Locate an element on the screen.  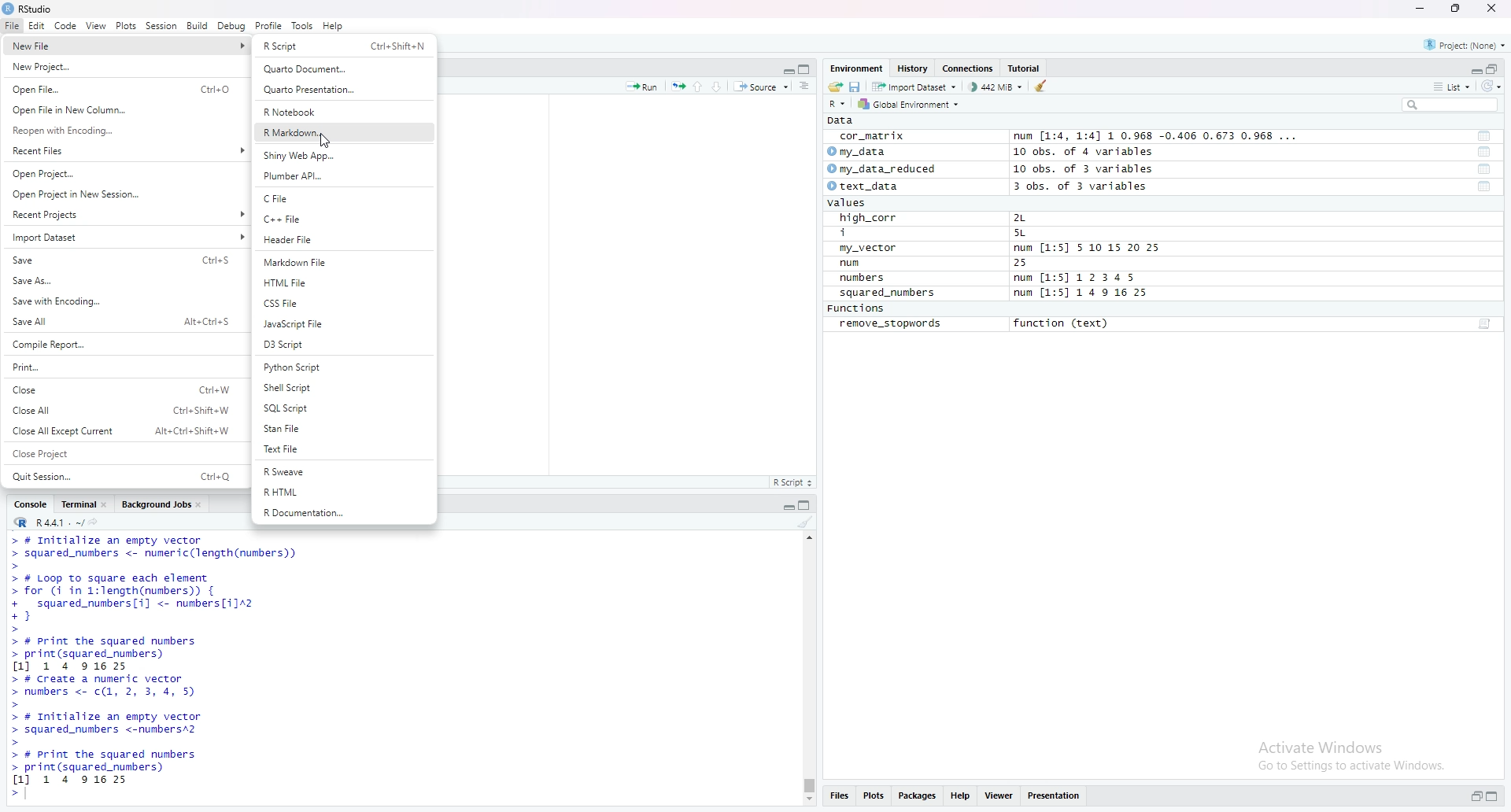
25 is located at coordinates (1037, 263).